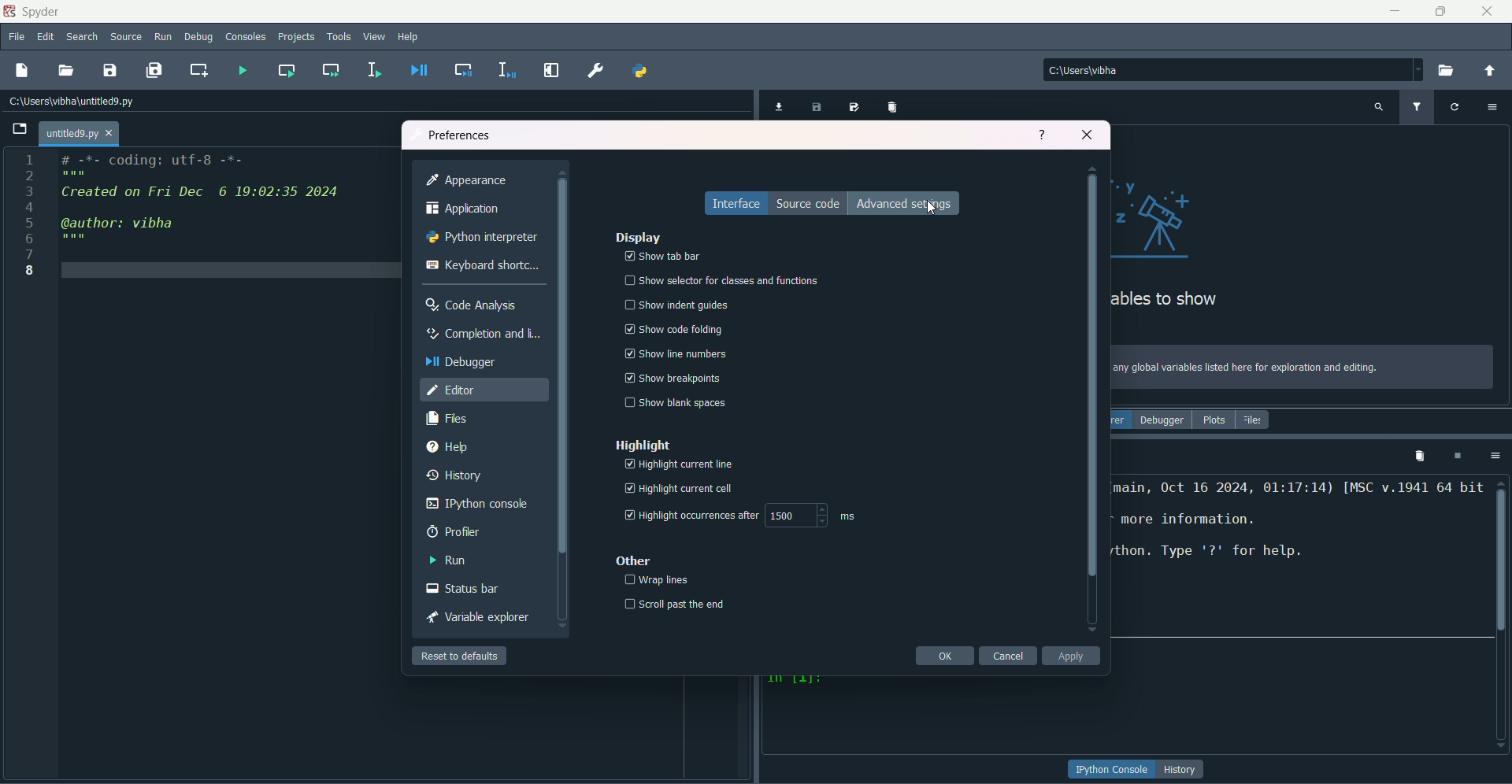  Describe the element at coordinates (672, 606) in the screenshot. I see `scroll past` at that location.